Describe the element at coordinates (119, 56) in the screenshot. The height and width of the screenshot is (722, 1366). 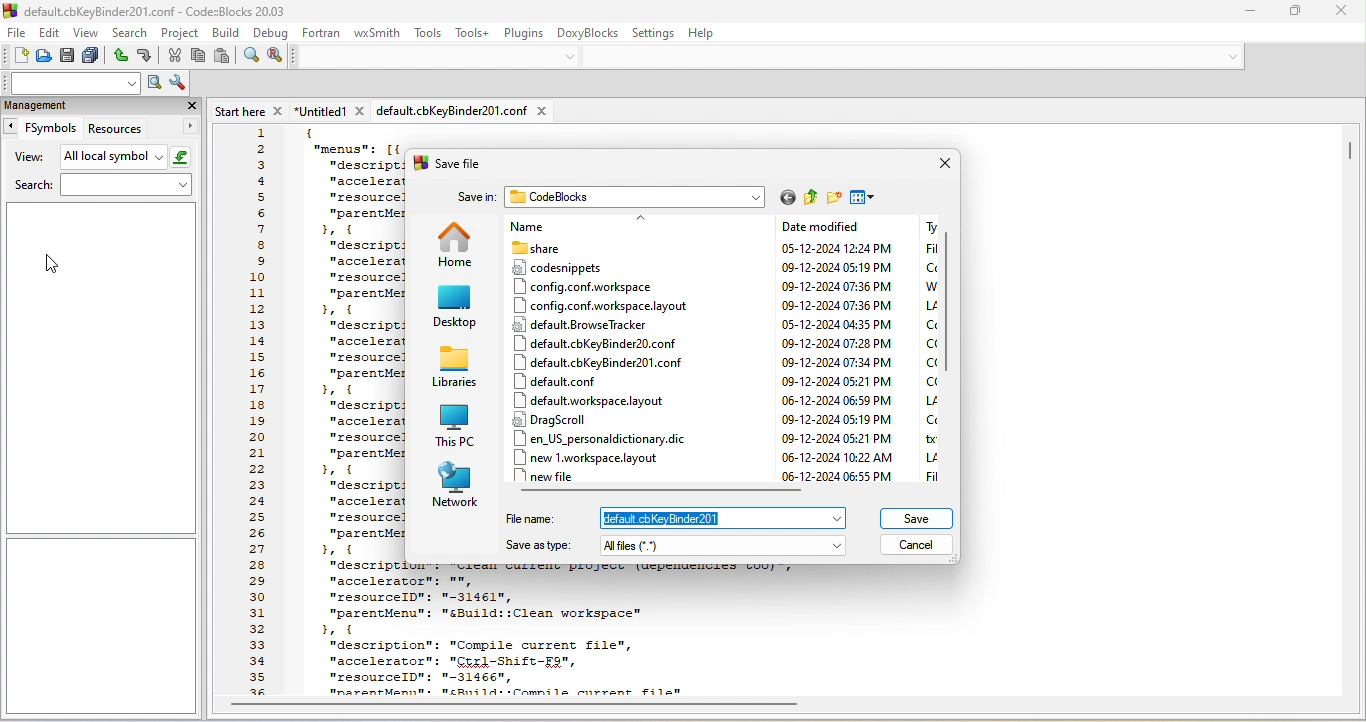
I see `undo` at that location.